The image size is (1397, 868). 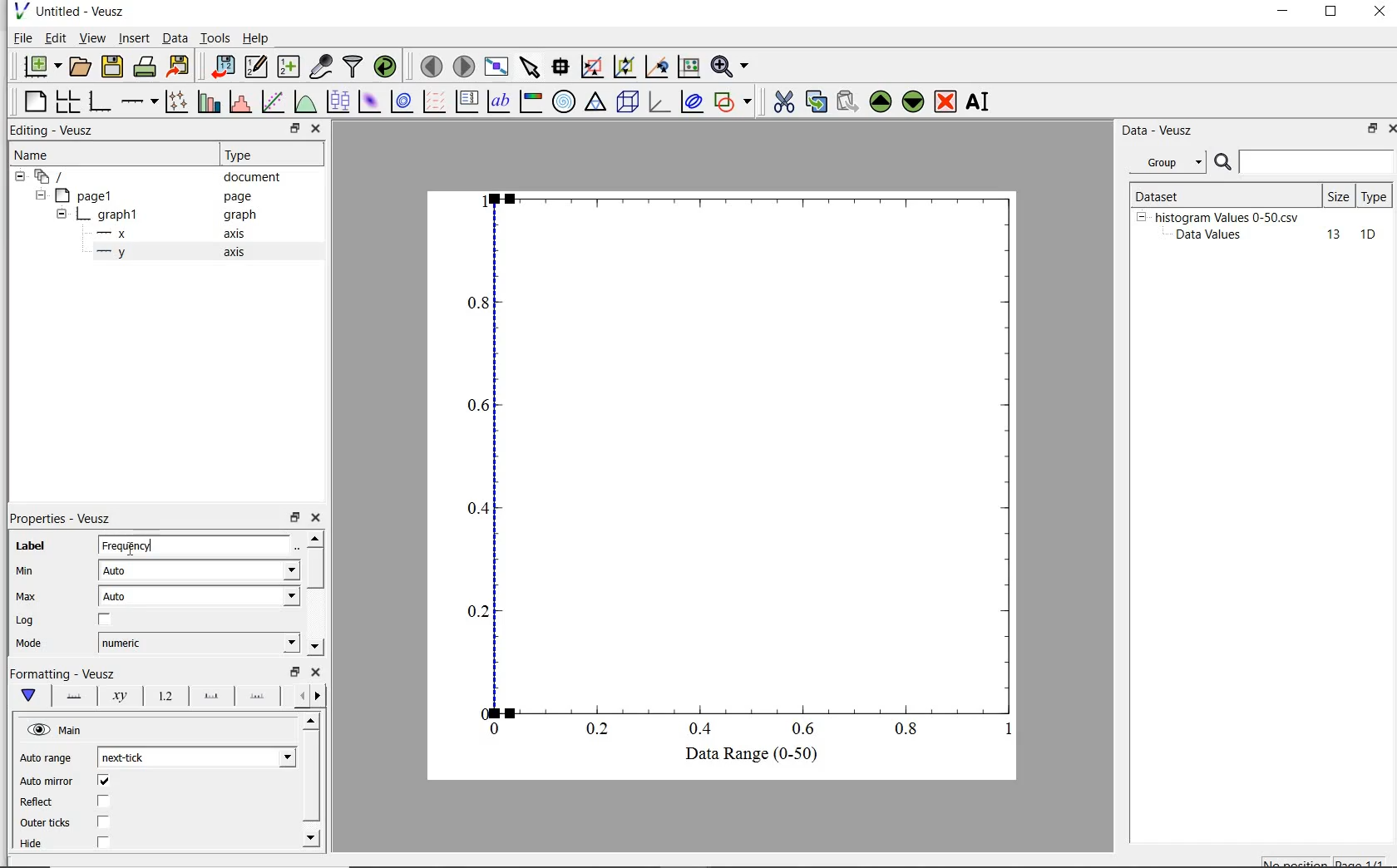 What do you see at coordinates (1141, 216) in the screenshot?
I see `hide` at bounding box center [1141, 216].